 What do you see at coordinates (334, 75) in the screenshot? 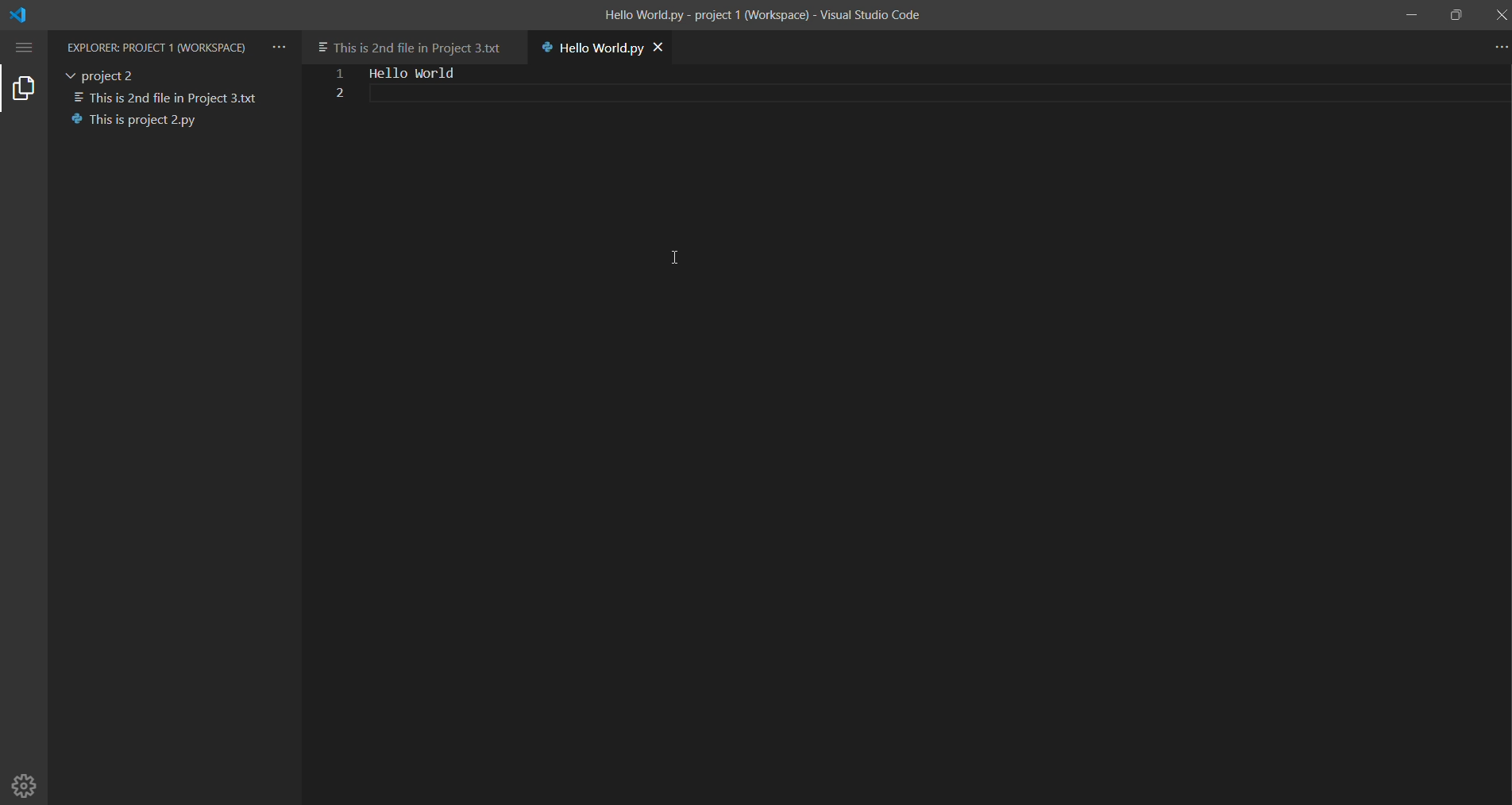
I see `1` at bounding box center [334, 75].